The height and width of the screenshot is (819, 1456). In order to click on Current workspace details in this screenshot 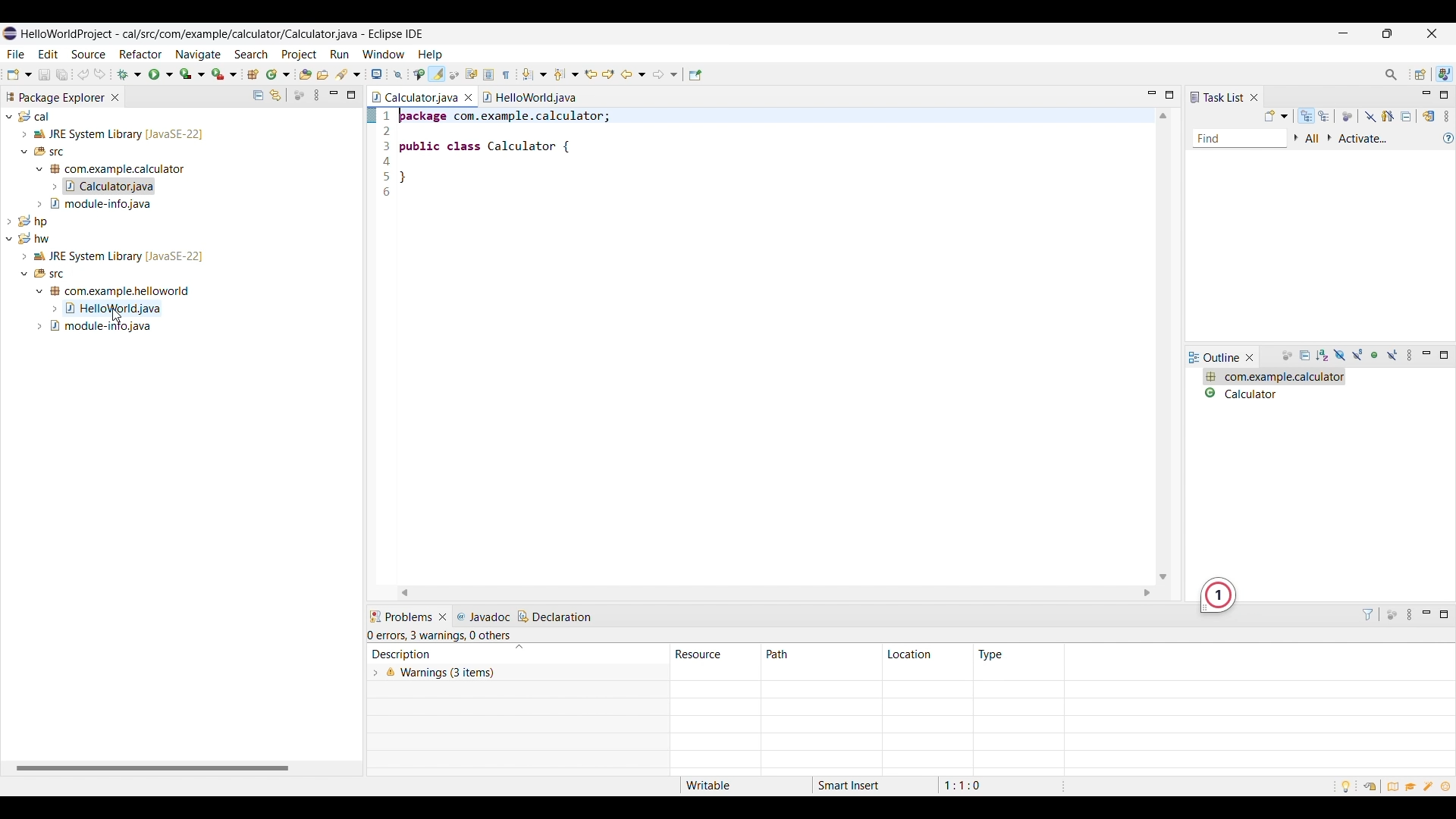, I will do `click(872, 786)`.